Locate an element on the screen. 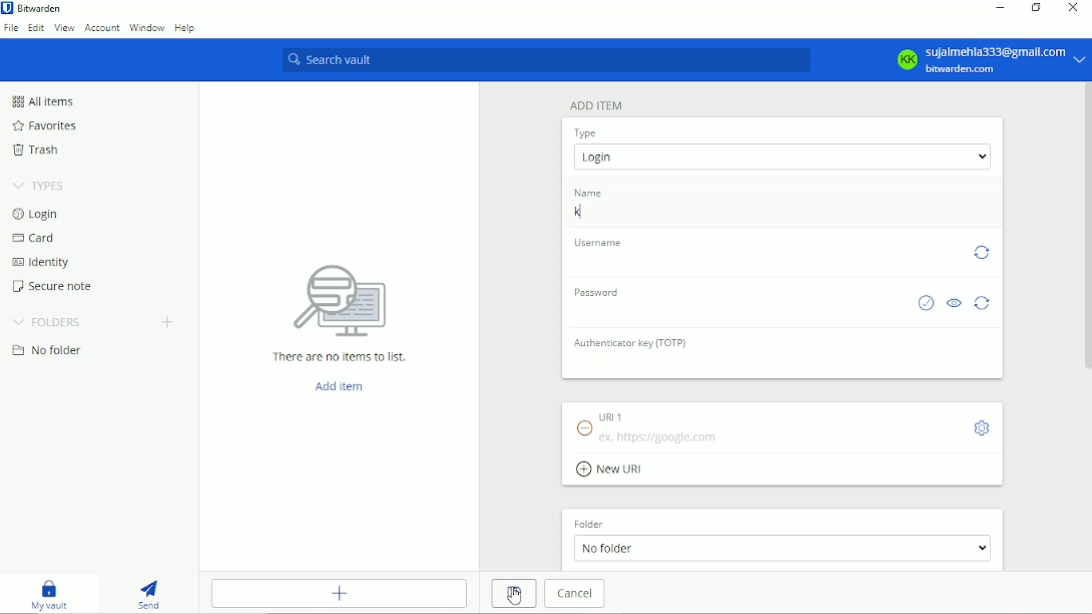  Username is located at coordinates (595, 242).